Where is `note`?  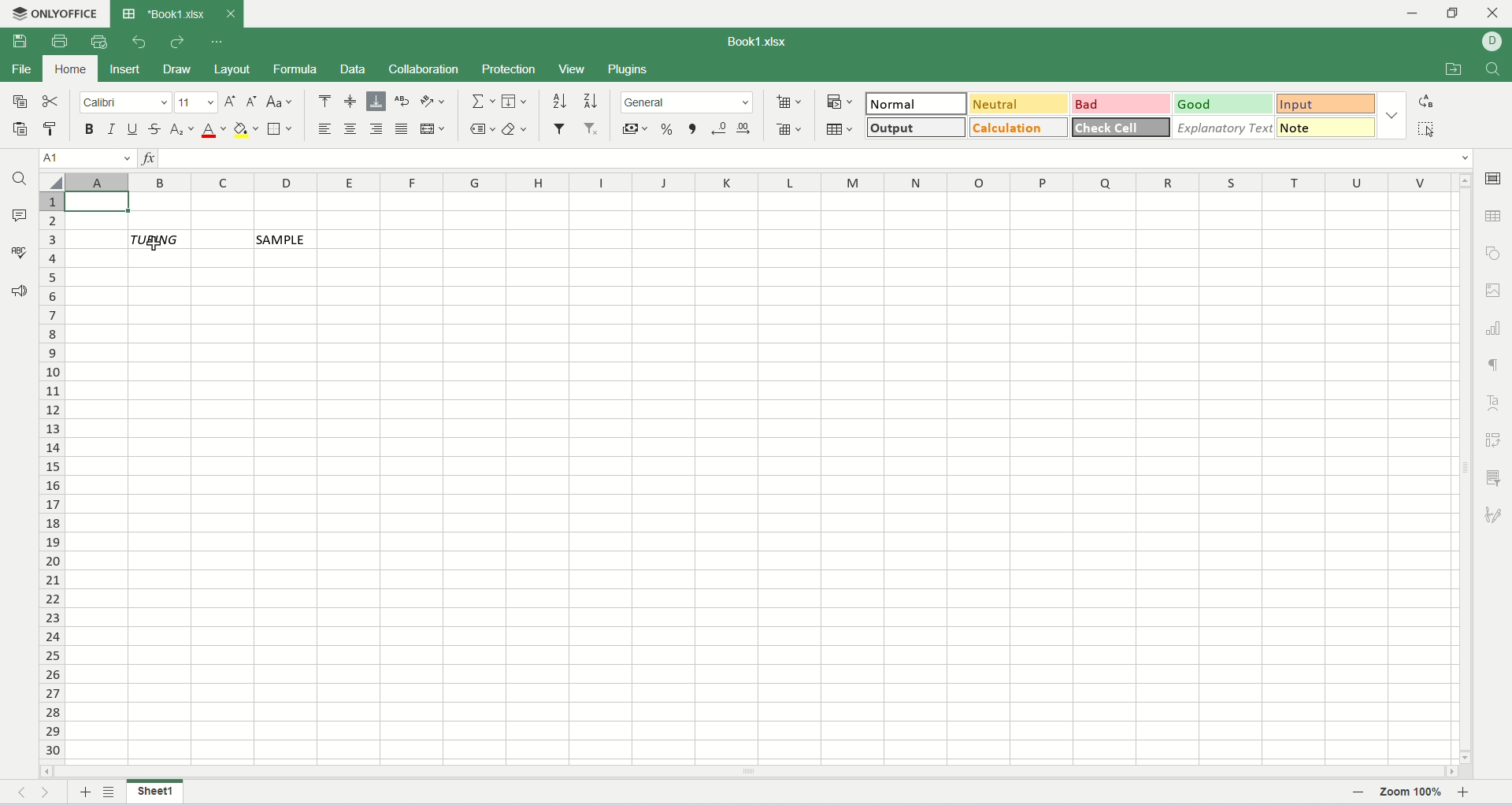 note is located at coordinates (1328, 127).